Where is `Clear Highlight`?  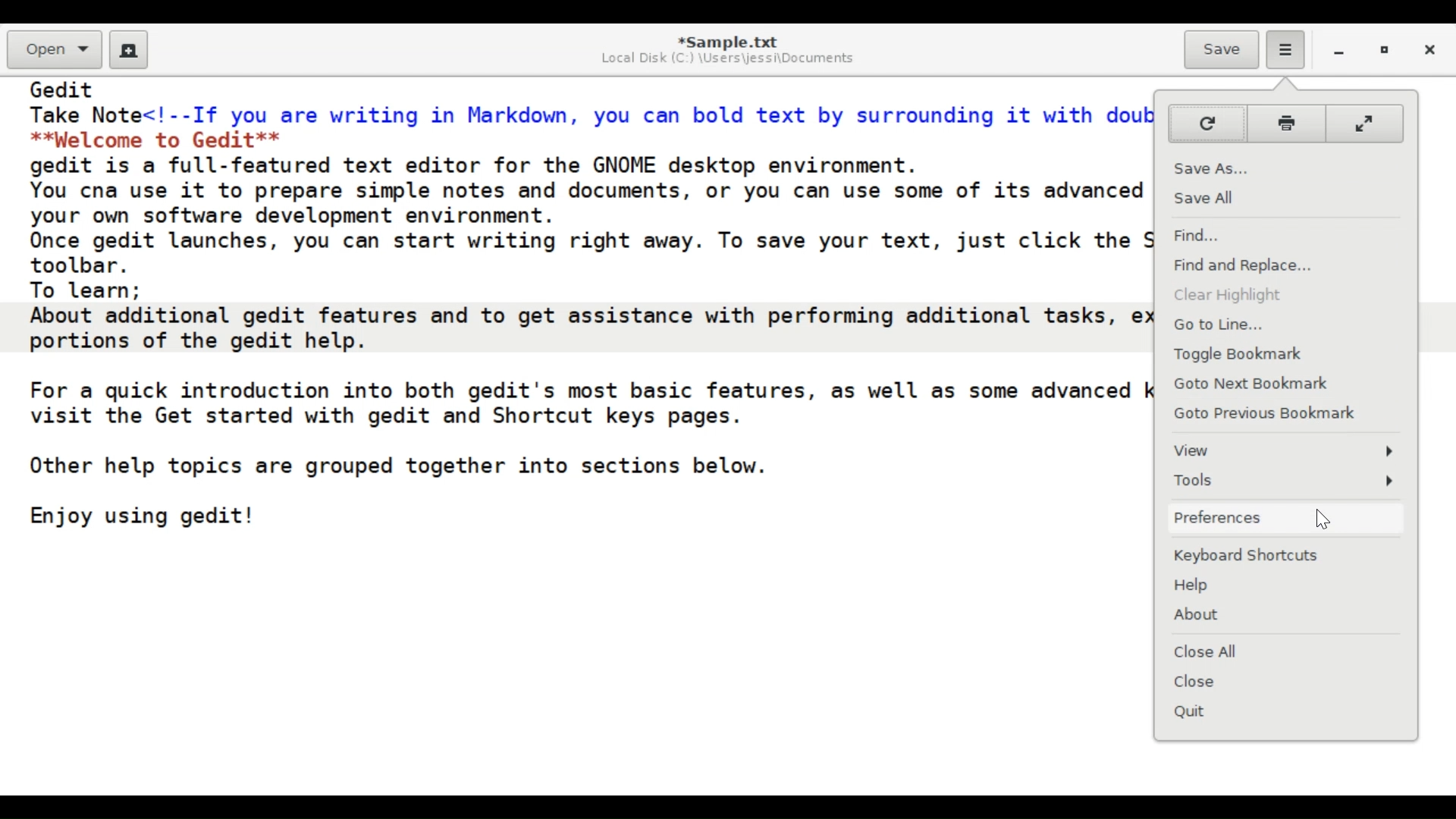
Clear Highlight is located at coordinates (1285, 295).